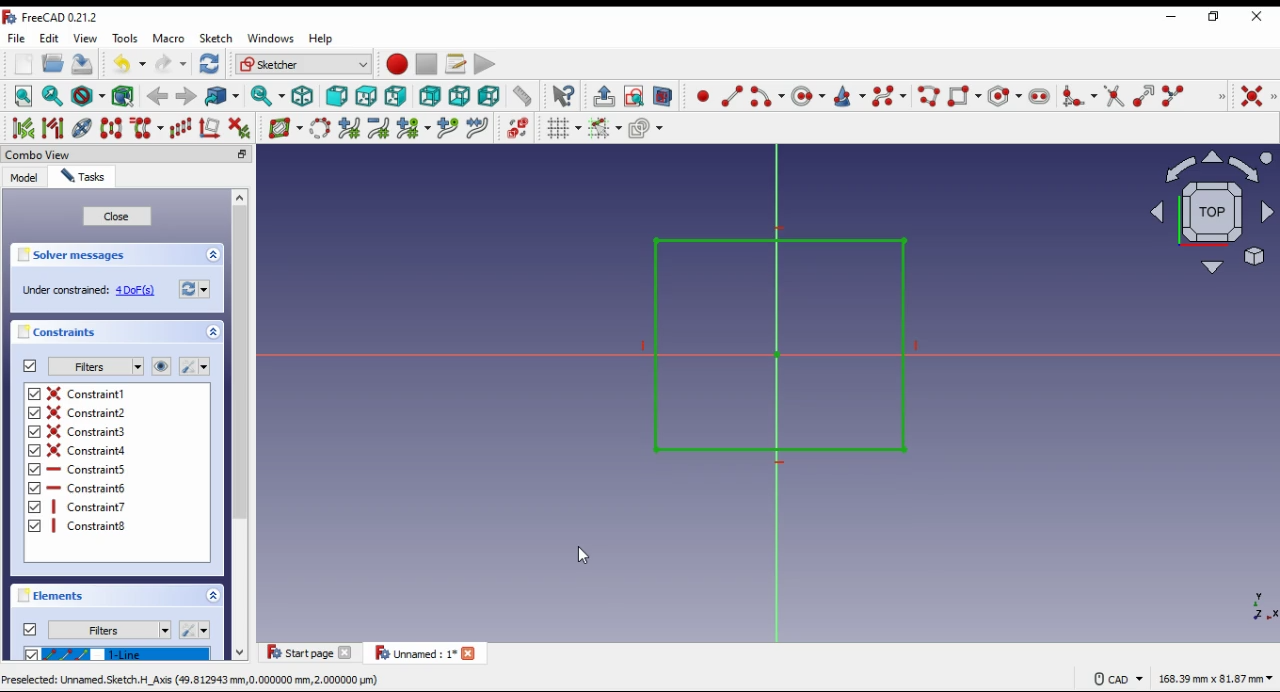 This screenshot has height=692, width=1280. I want to click on rear, so click(431, 96).